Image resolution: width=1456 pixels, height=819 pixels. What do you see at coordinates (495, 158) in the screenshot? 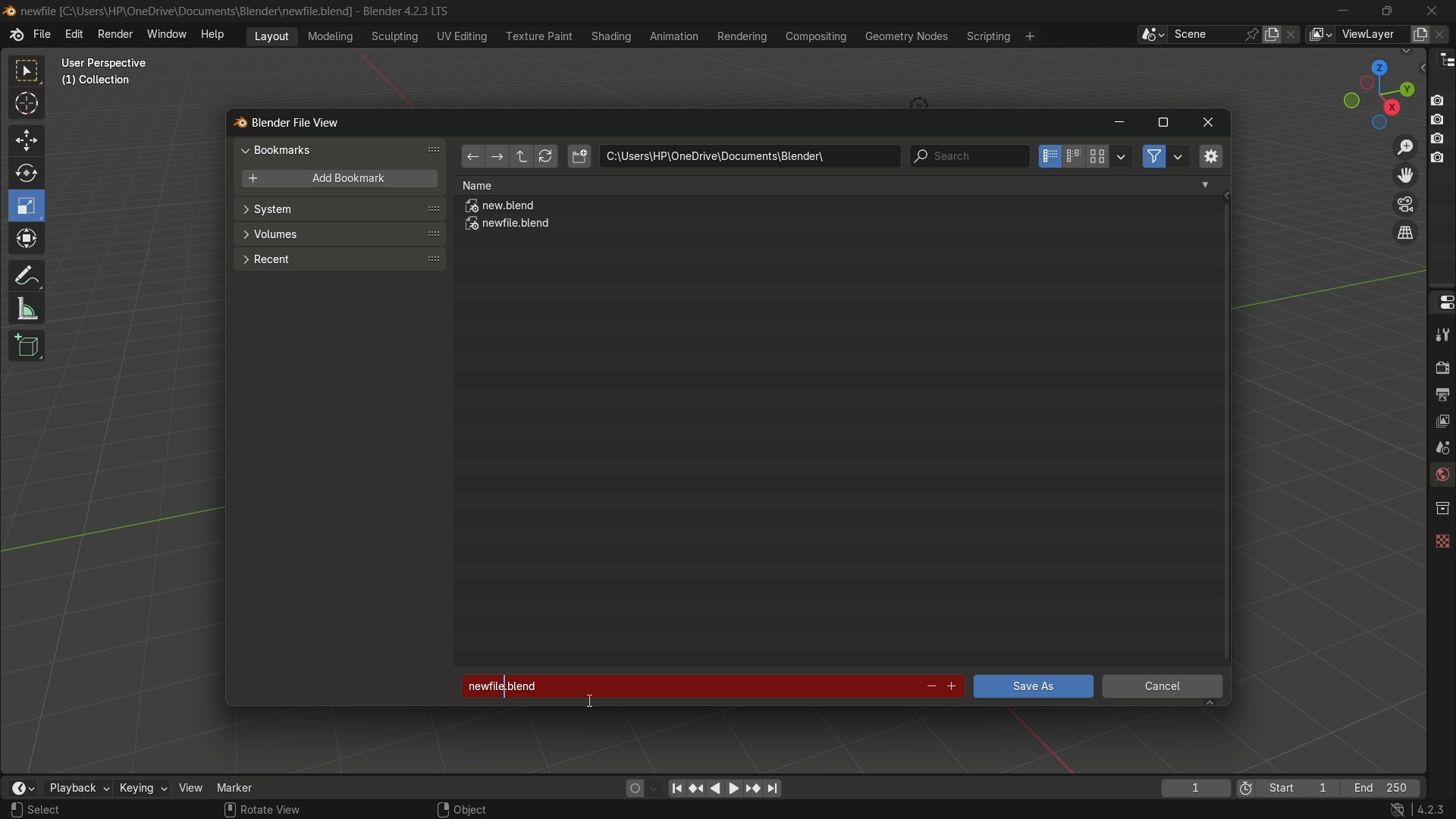
I see `forward` at bounding box center [495, 158].